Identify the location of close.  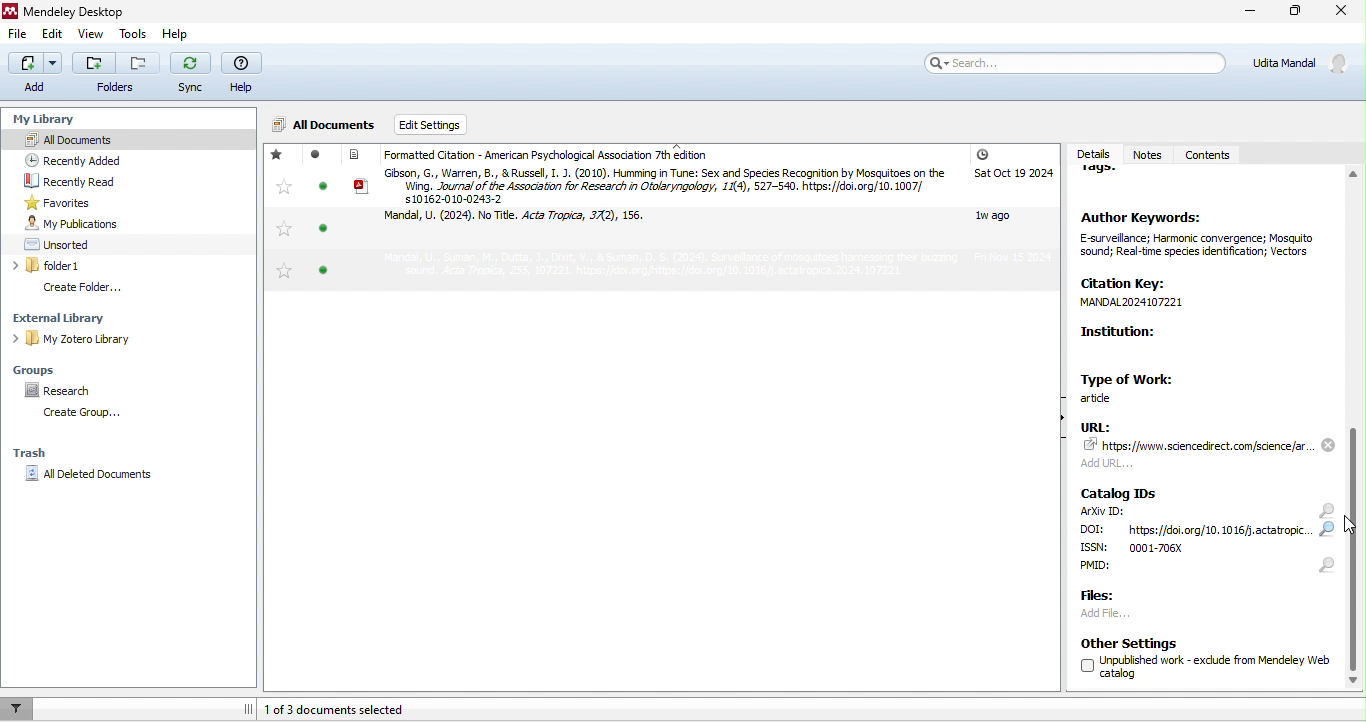
(1343, 14).